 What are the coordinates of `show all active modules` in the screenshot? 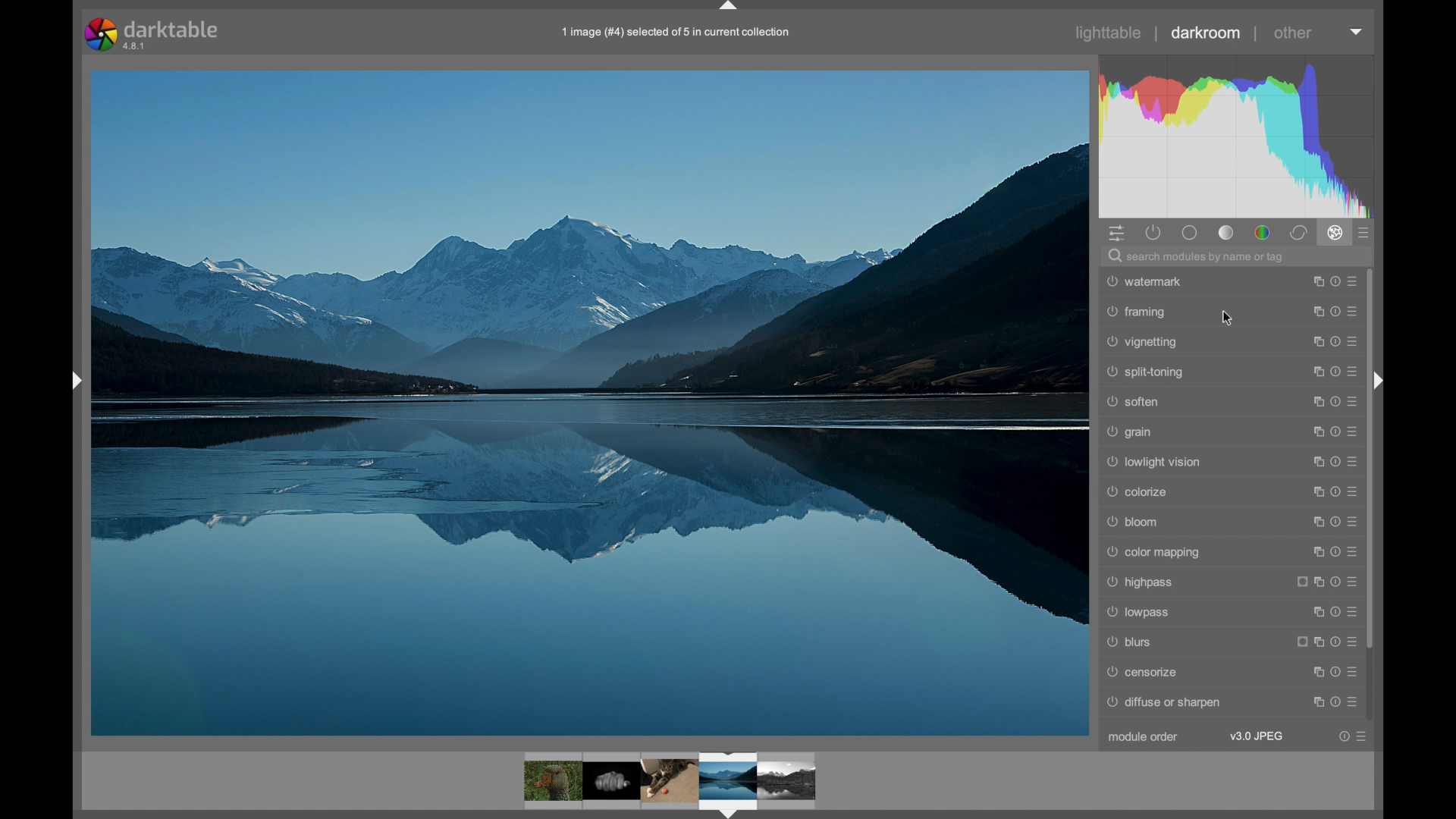 It's located at (1155, 233).